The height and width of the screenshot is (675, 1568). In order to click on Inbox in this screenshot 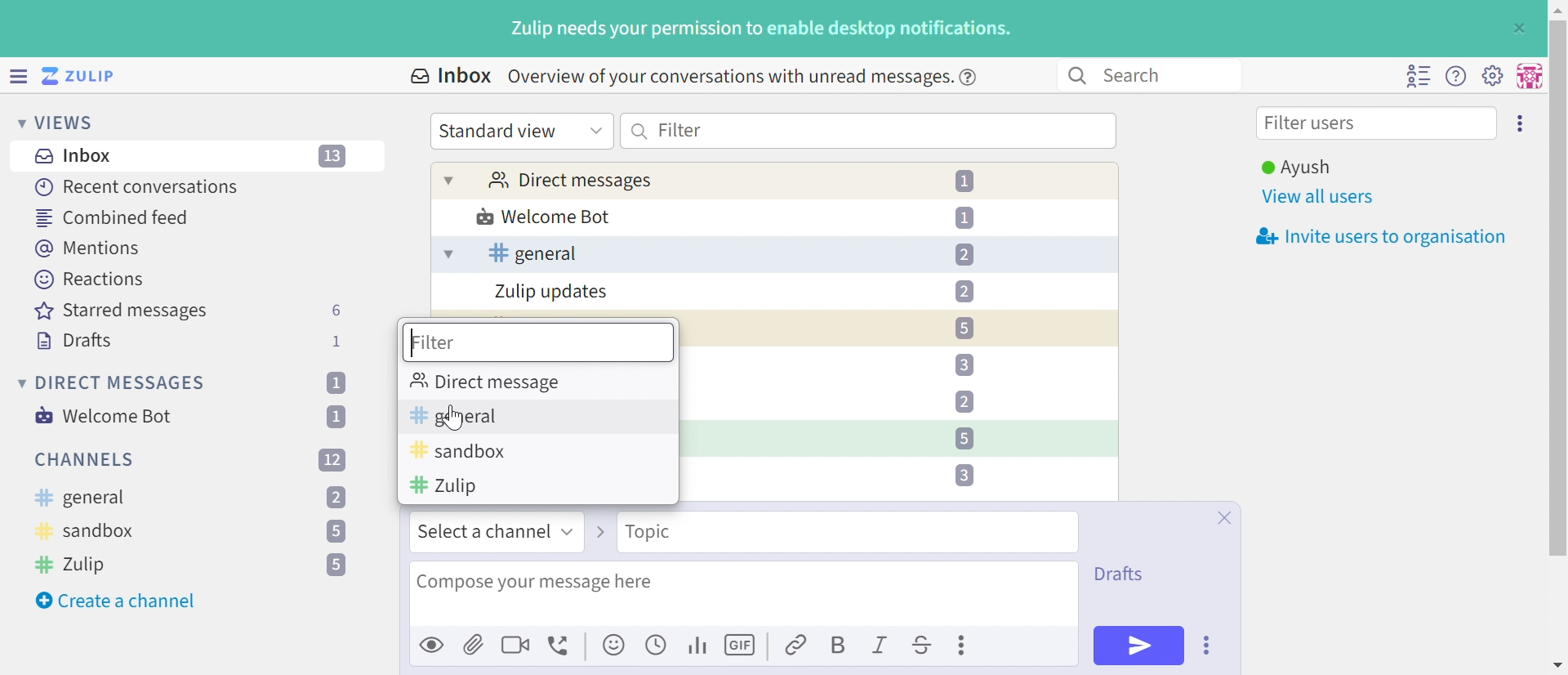, I will do `click(449, 76)`.